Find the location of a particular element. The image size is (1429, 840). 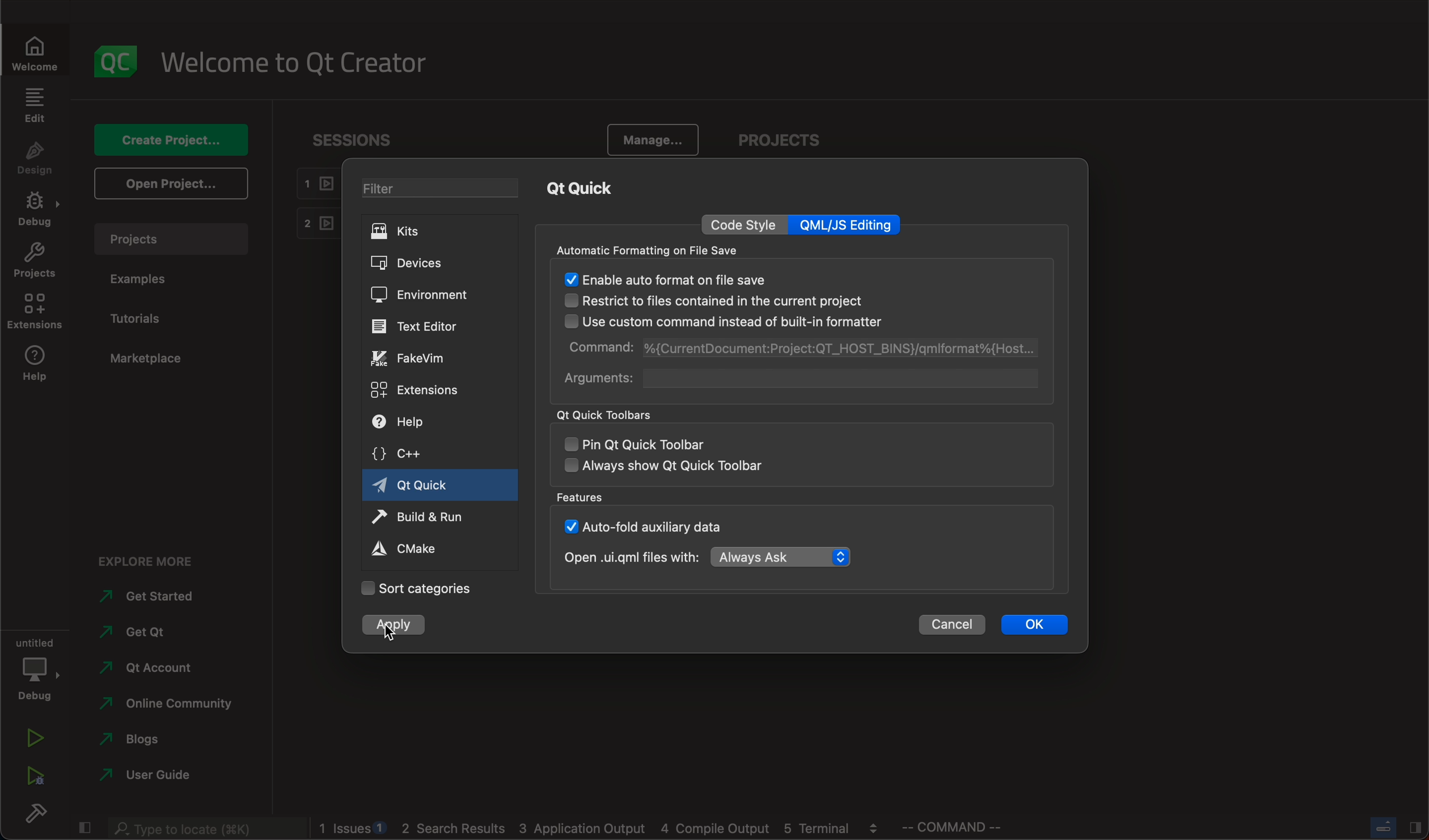

fakevim is located at coordinates (416, 360).